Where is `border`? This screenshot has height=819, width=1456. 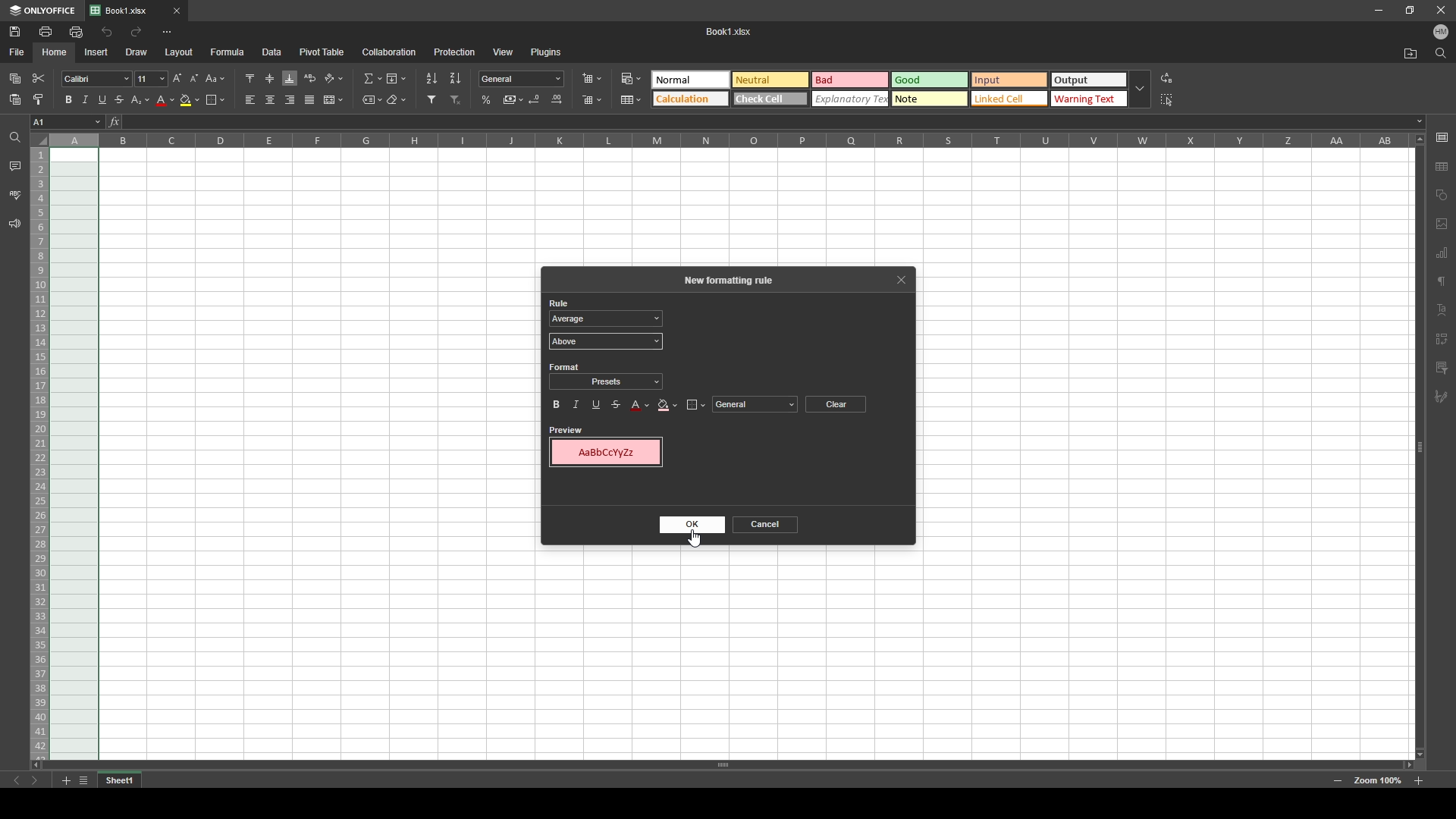 border is located at coordinates (696, 405).